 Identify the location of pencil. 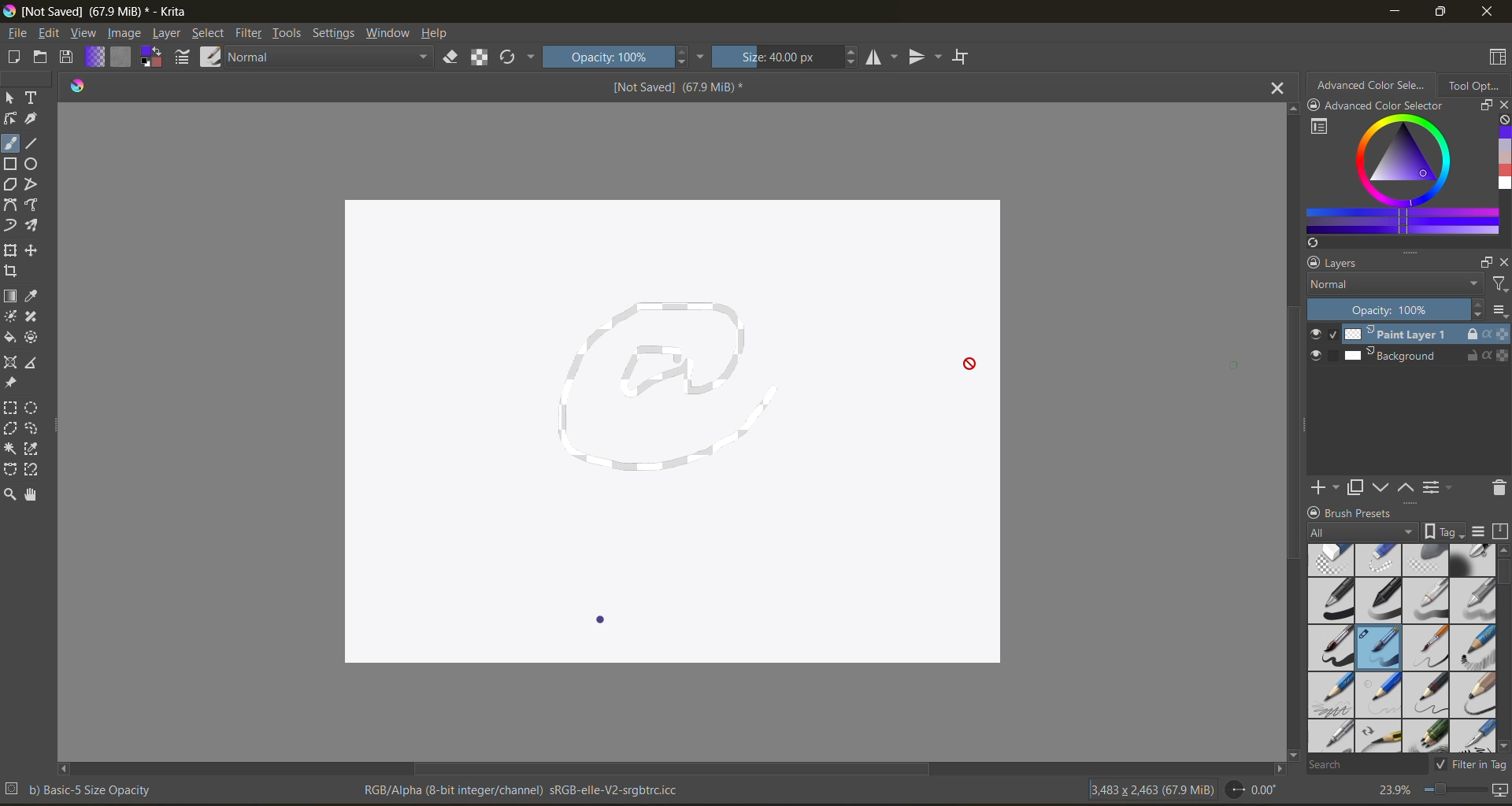
(1330, 695).